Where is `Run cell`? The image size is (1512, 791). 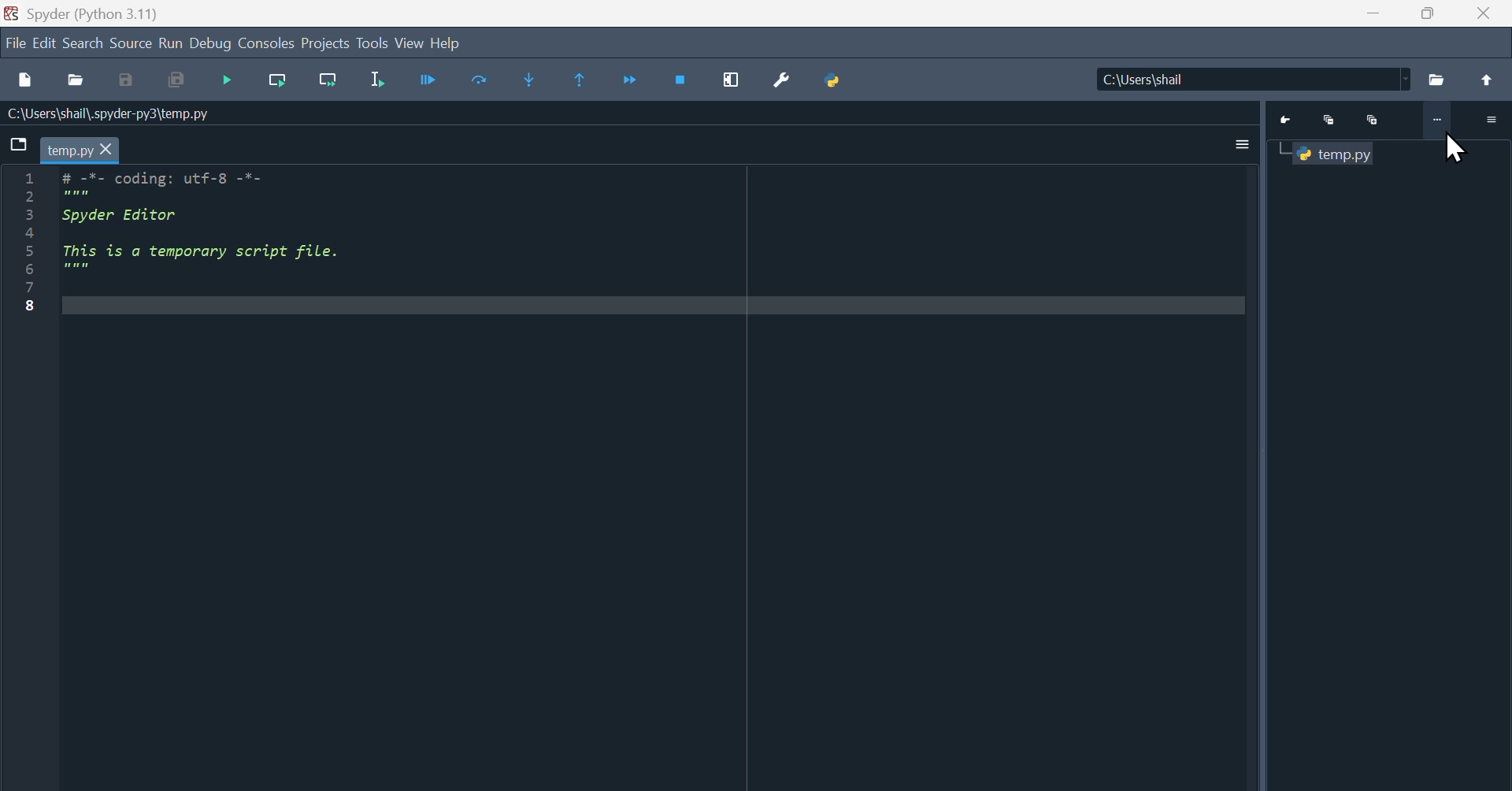
Run cell is located at coordinates (428, 83).